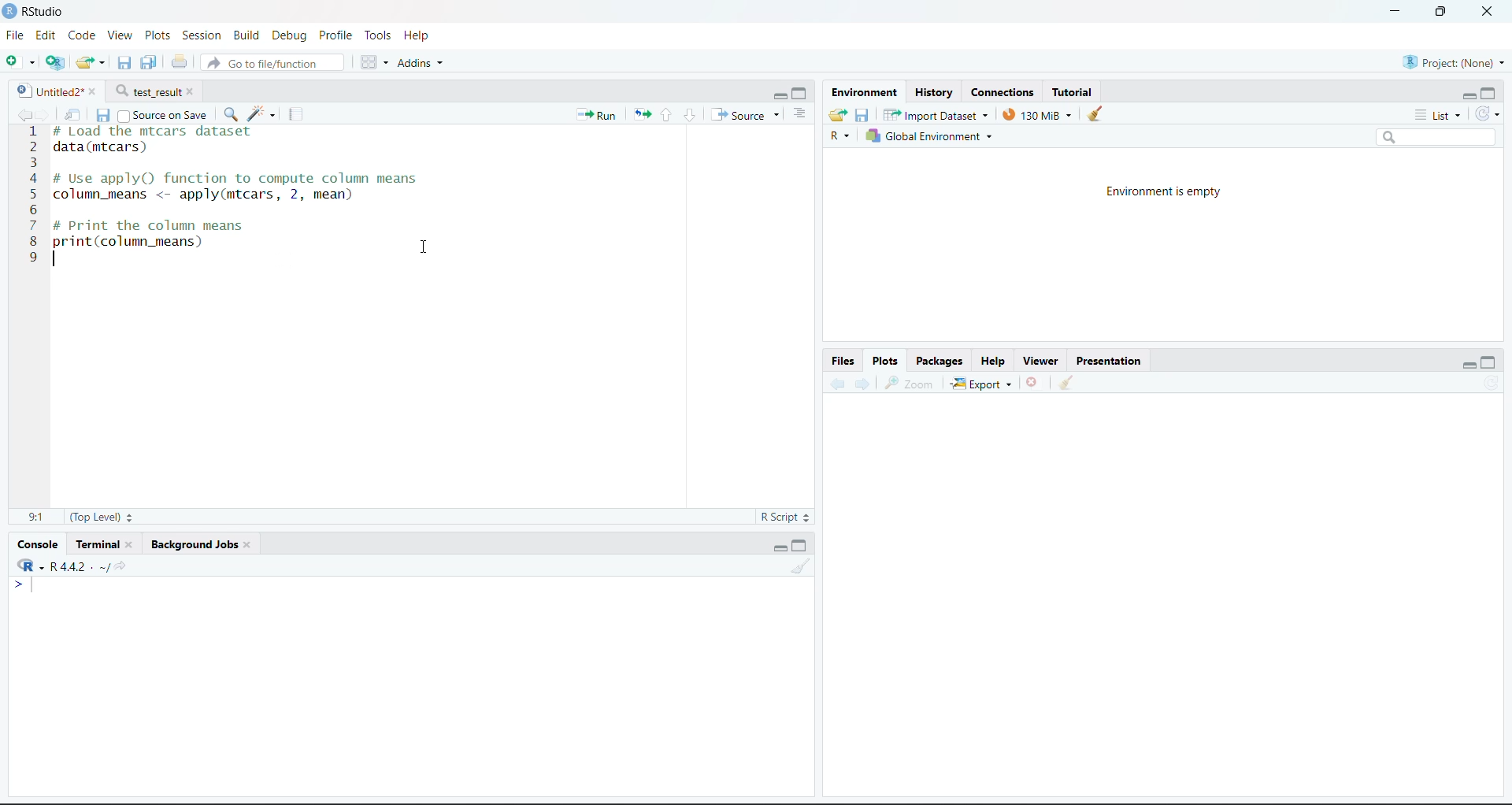  I want to click on File, so click(13, 35).